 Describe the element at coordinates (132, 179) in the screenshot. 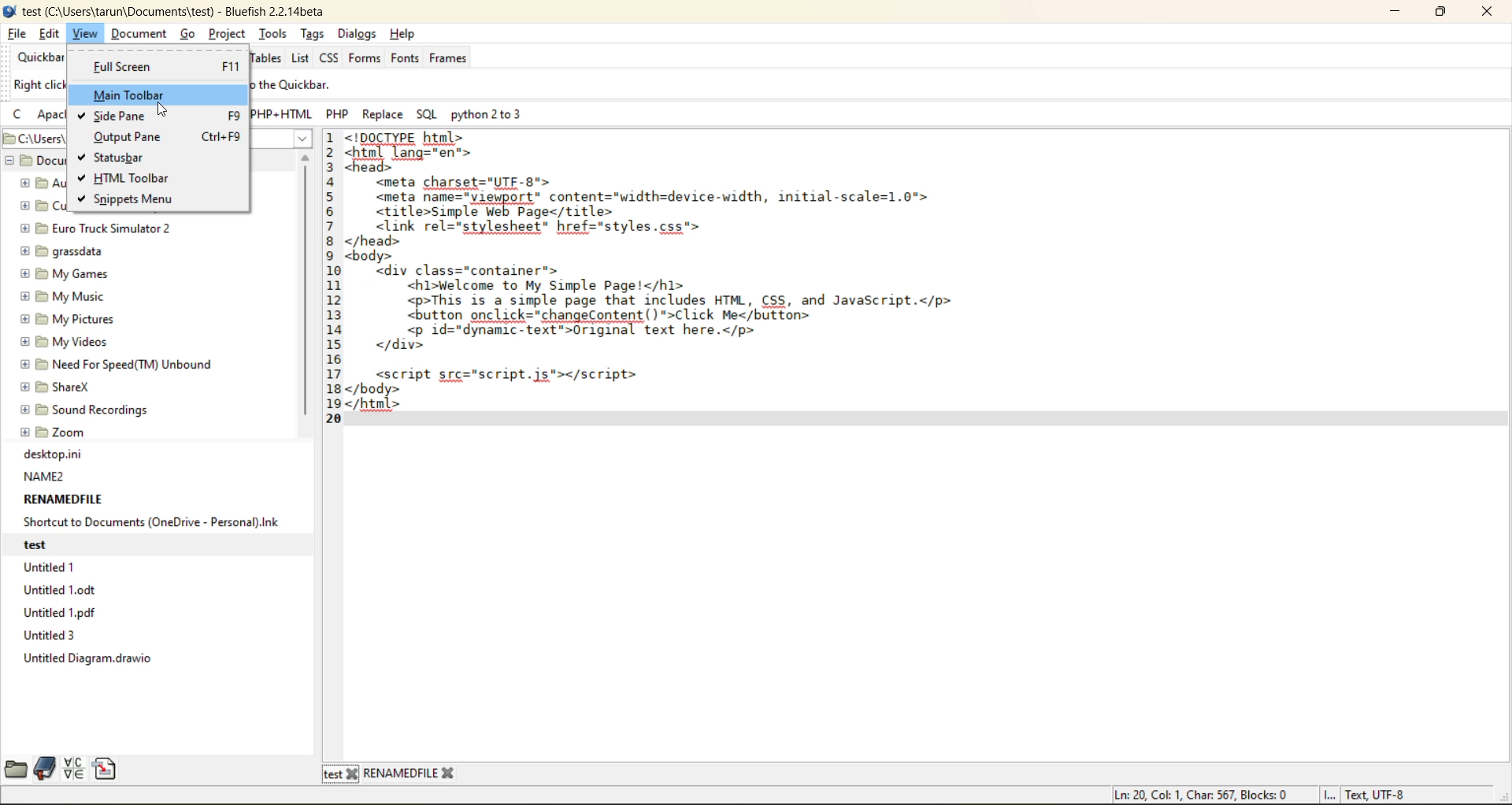

I see `html toolbar` at that location.